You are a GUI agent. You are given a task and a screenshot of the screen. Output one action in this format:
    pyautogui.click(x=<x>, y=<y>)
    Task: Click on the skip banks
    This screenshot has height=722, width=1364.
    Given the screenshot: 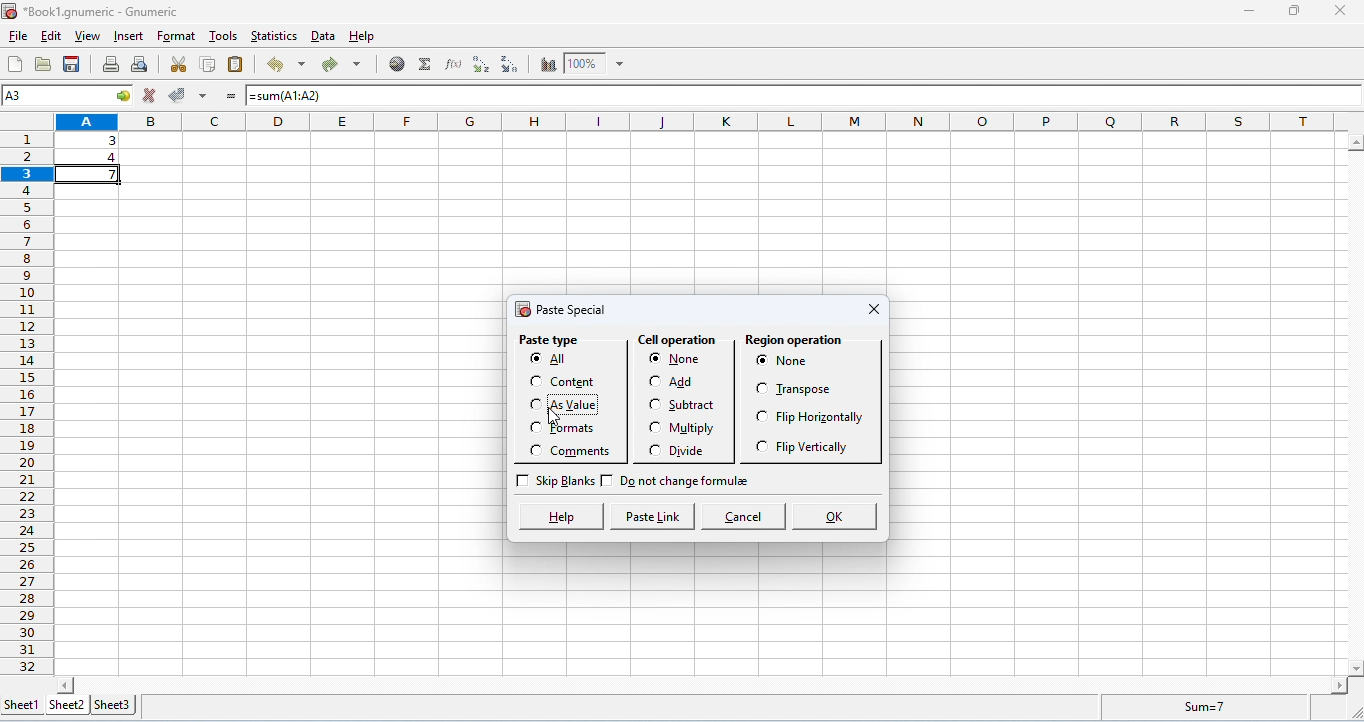 What is the action you would take?
    pyautogui.click(x=565, y=482)
    